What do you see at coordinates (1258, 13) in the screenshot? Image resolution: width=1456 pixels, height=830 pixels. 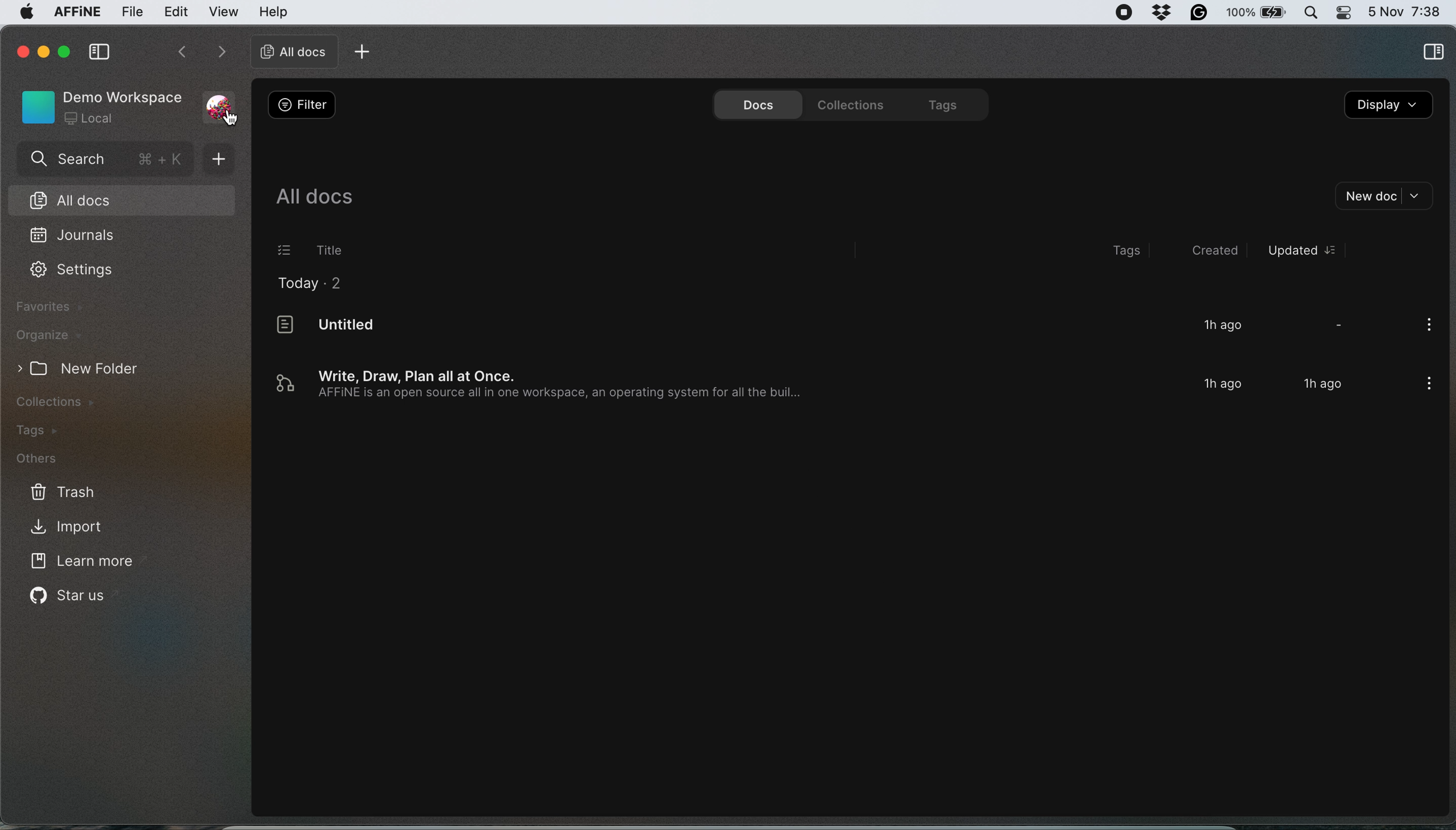 I see `battery` at bounding box center [1258, 13].